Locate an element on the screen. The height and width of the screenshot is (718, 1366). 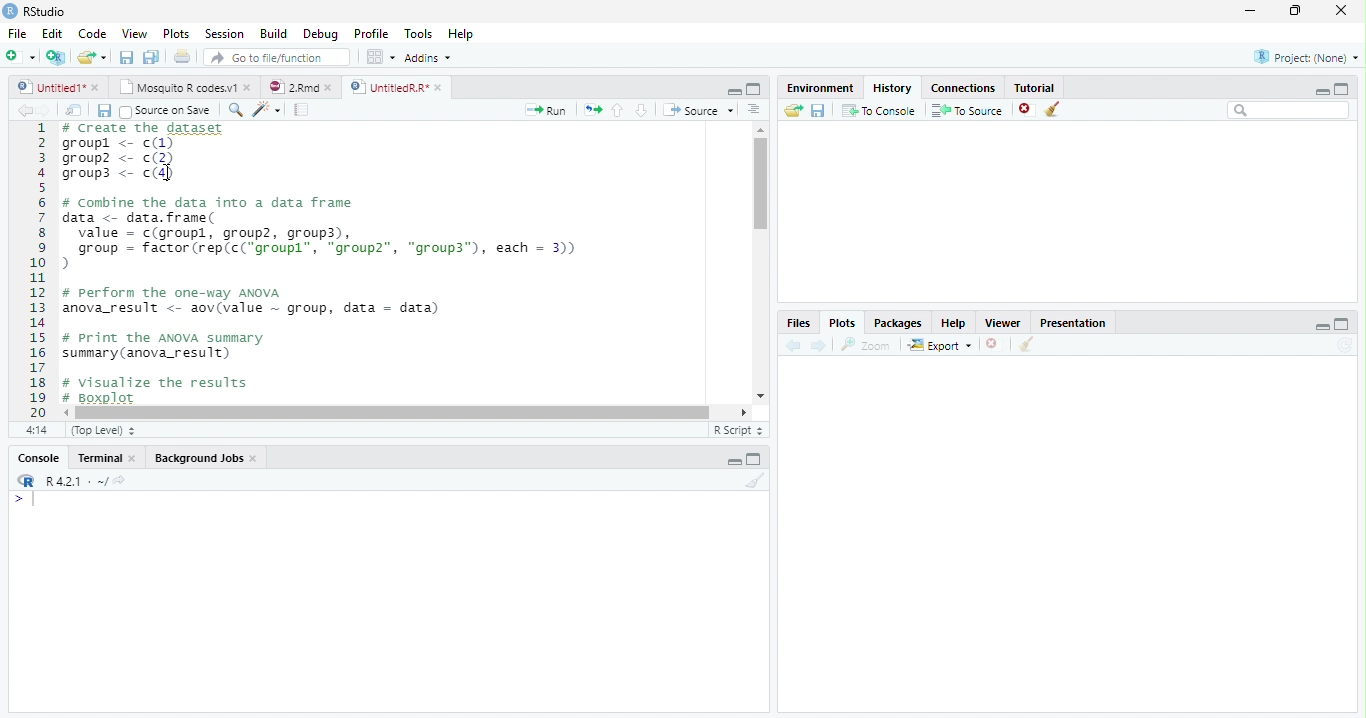
> is located at coordinates (14, 500).